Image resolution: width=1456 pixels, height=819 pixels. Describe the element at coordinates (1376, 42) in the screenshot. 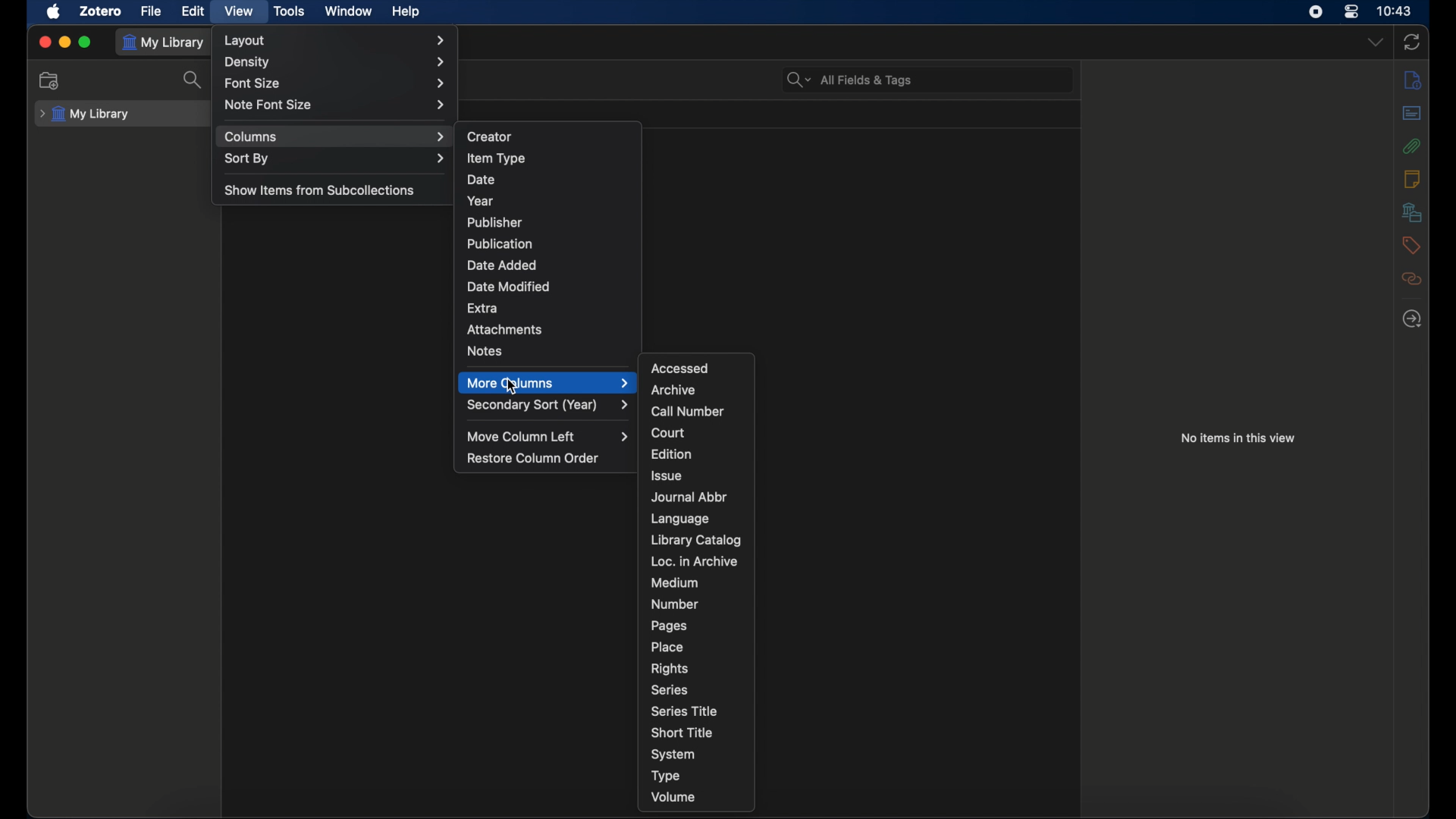

I see `dropdown` at that location.